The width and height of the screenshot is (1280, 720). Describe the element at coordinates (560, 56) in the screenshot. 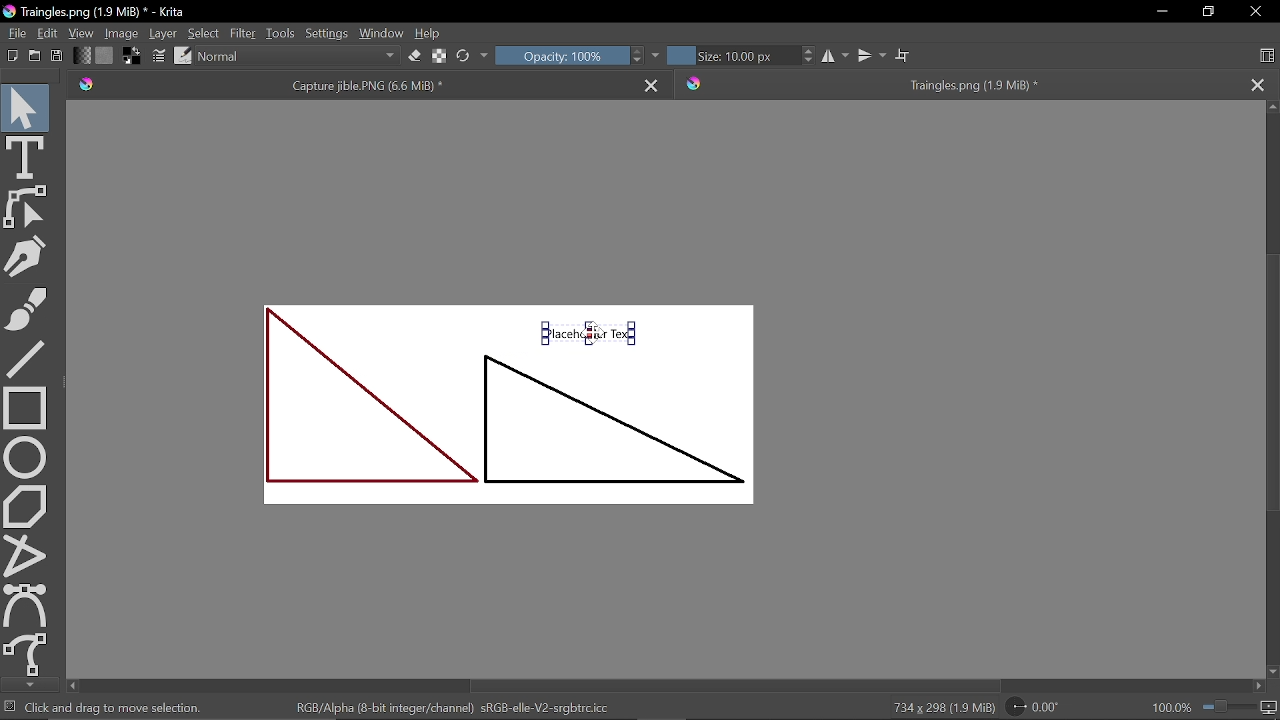

I see `Opacity: 100%` at that location.